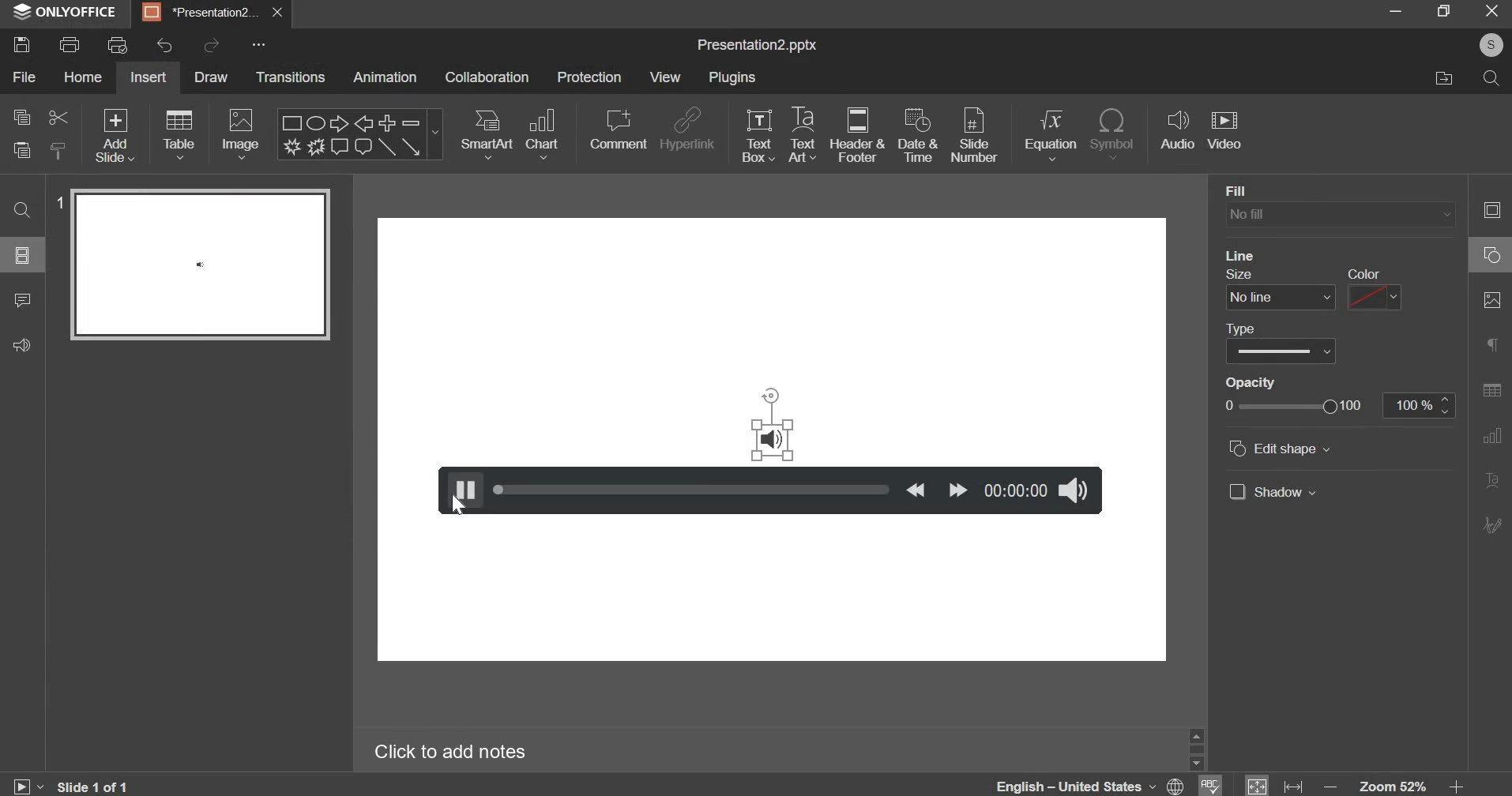 The width and height of the screenshot is (1512, 796). I want to click on slide number, so click(58, 202).